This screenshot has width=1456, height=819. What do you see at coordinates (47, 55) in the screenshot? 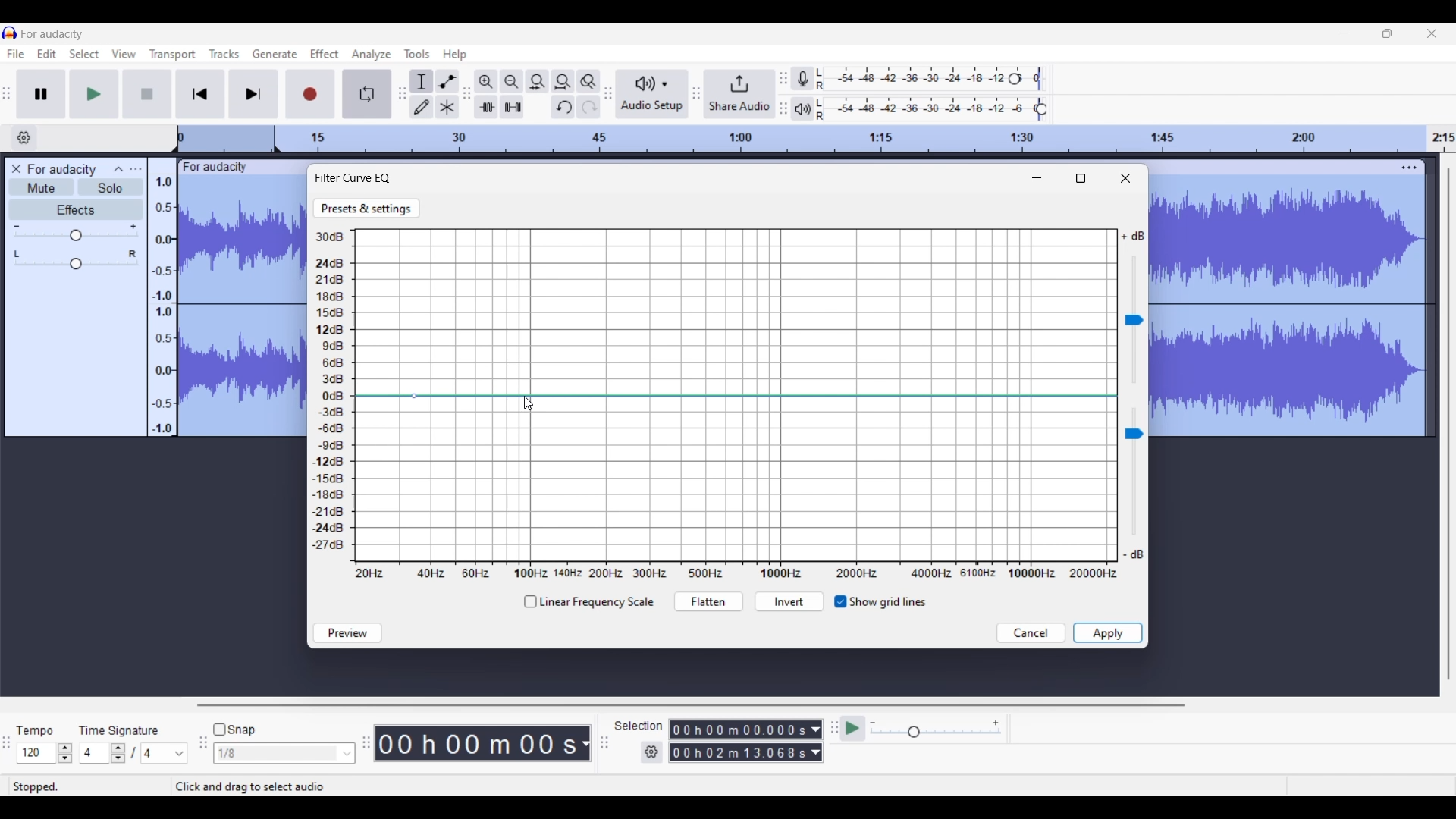
I see `Edit menu` at bounding box center [47, 55].